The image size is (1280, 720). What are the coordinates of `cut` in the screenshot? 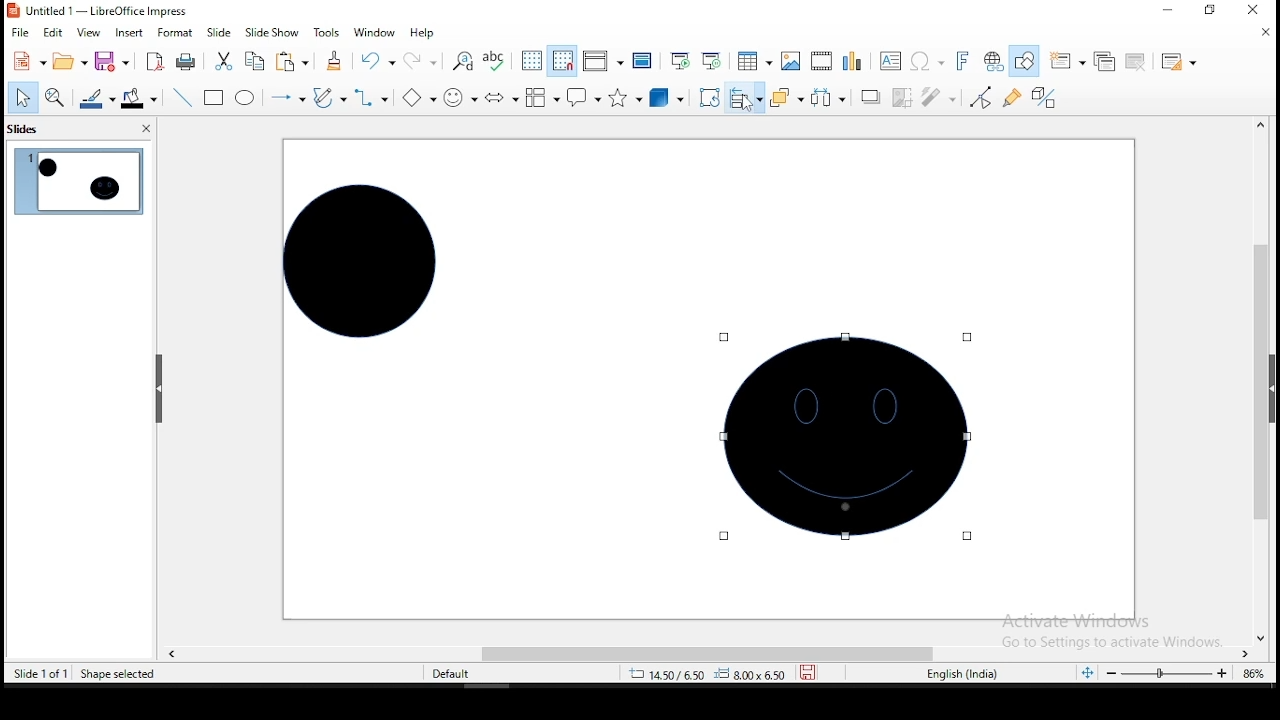 It's located at (223, 61).